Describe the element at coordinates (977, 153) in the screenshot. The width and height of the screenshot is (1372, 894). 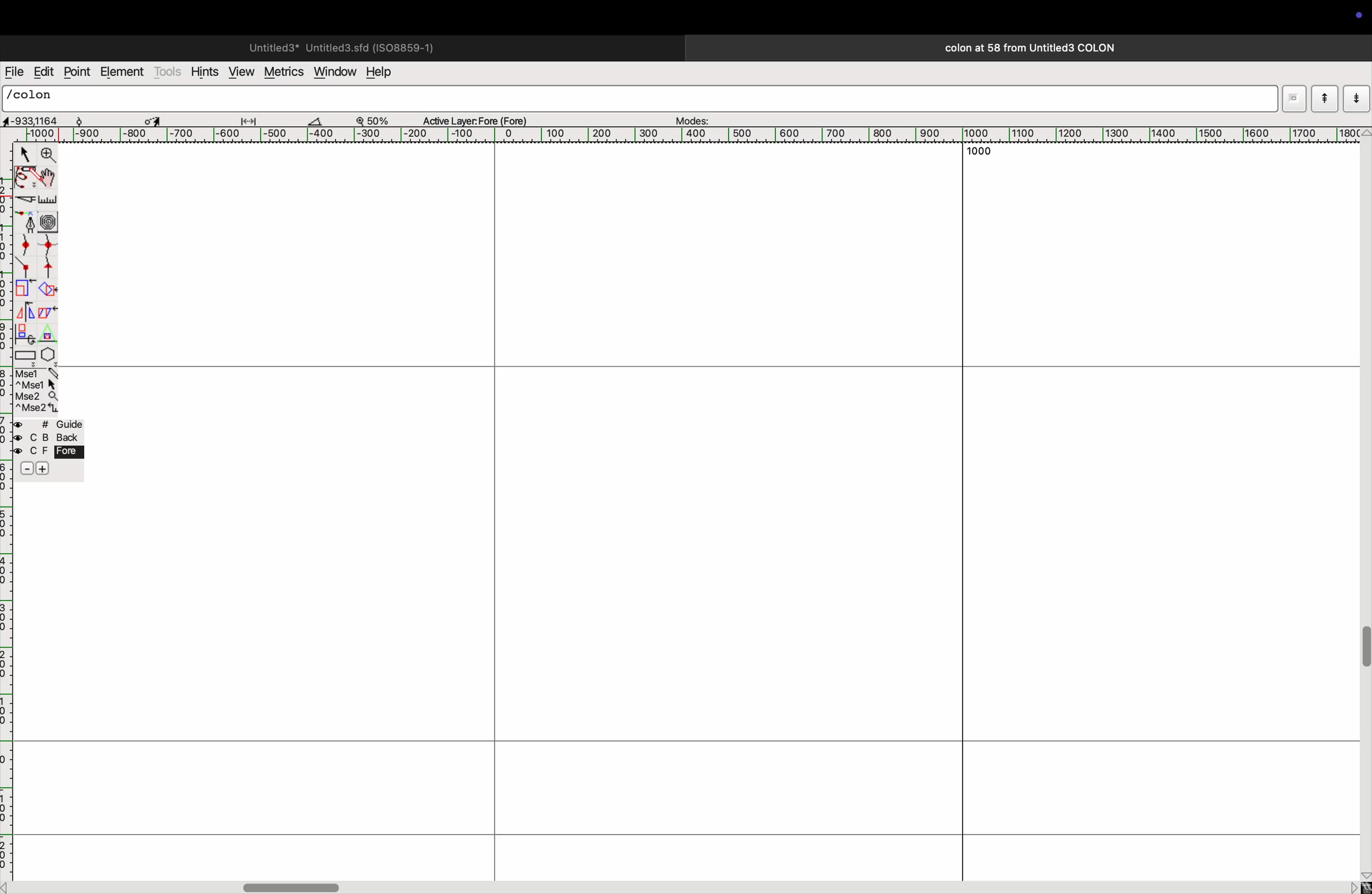
I see `1000` at that location.